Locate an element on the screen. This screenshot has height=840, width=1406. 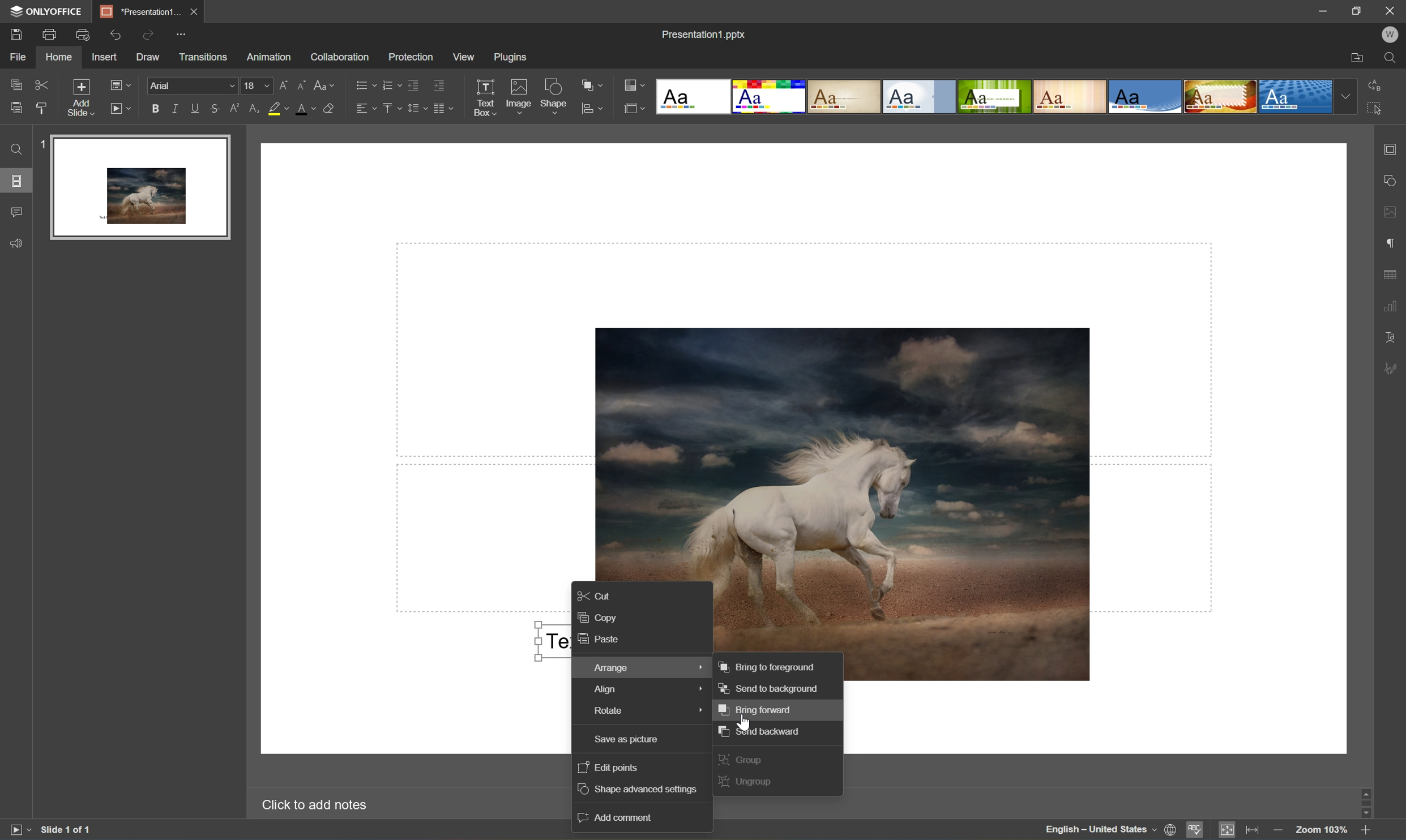
Restore Down is located at coordinates (1357, 9).